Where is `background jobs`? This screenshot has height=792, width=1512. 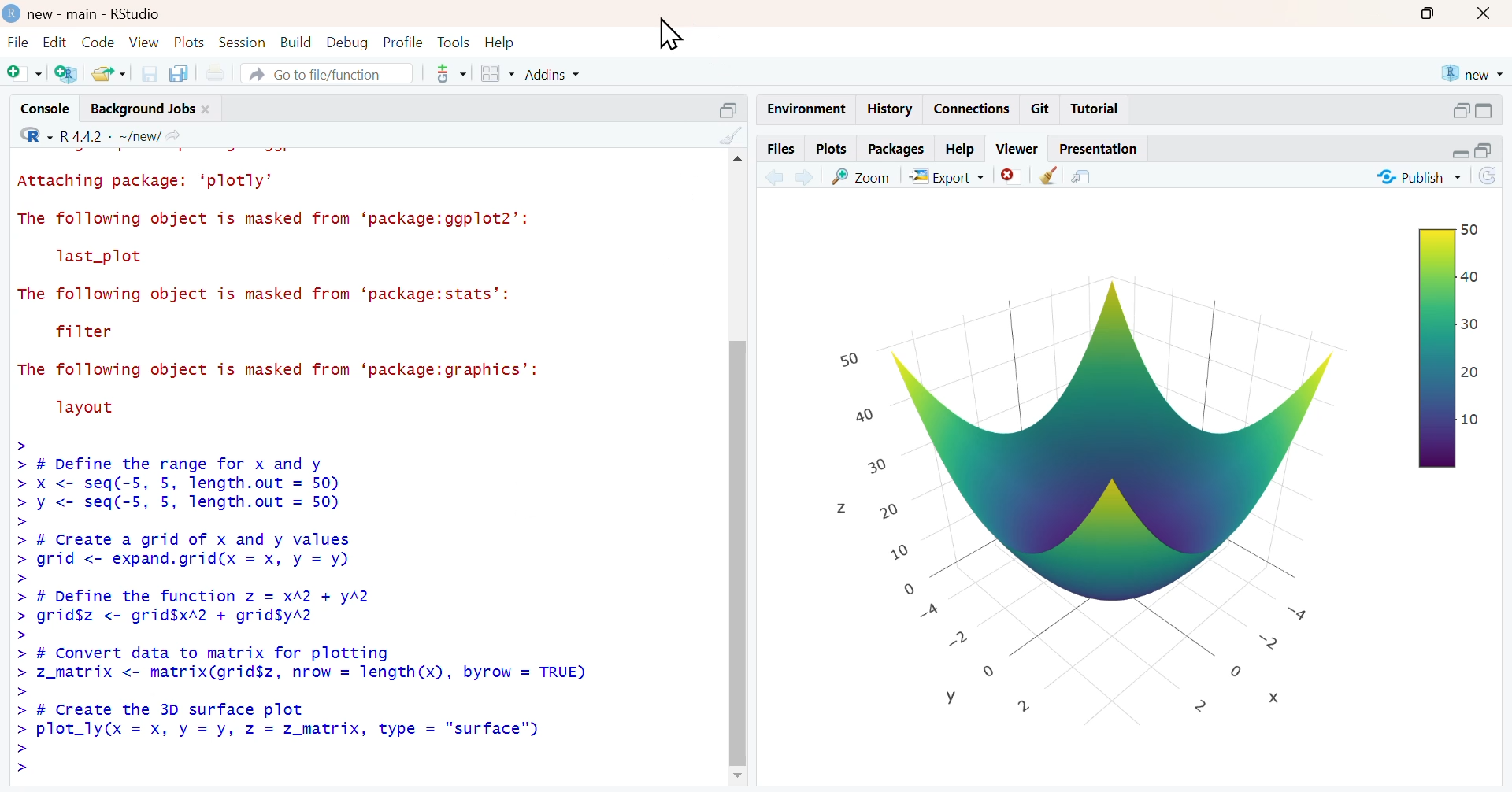 background jobs is located at coordinates (139, 108).